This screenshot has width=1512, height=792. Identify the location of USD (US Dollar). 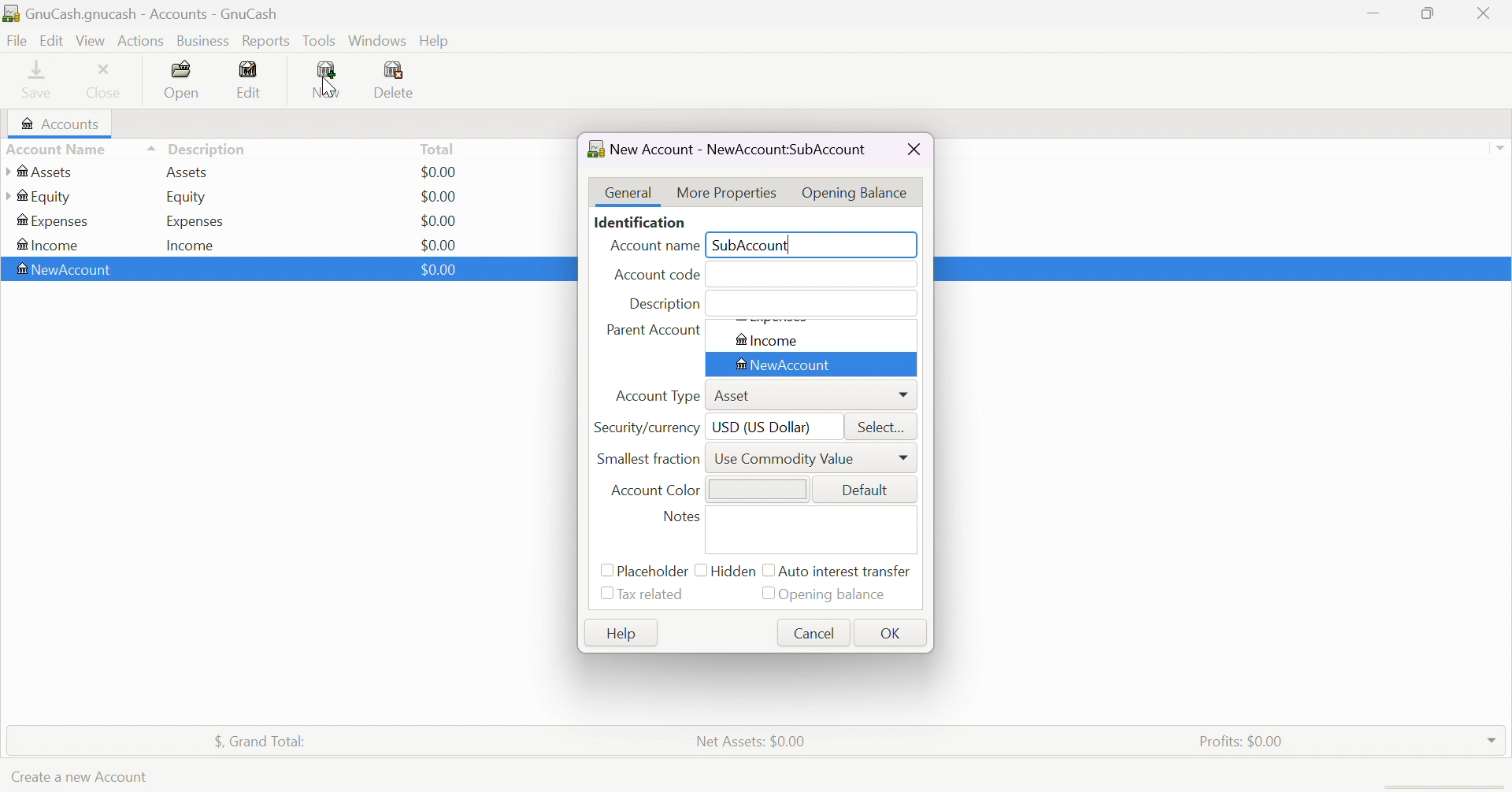
(763, 430).